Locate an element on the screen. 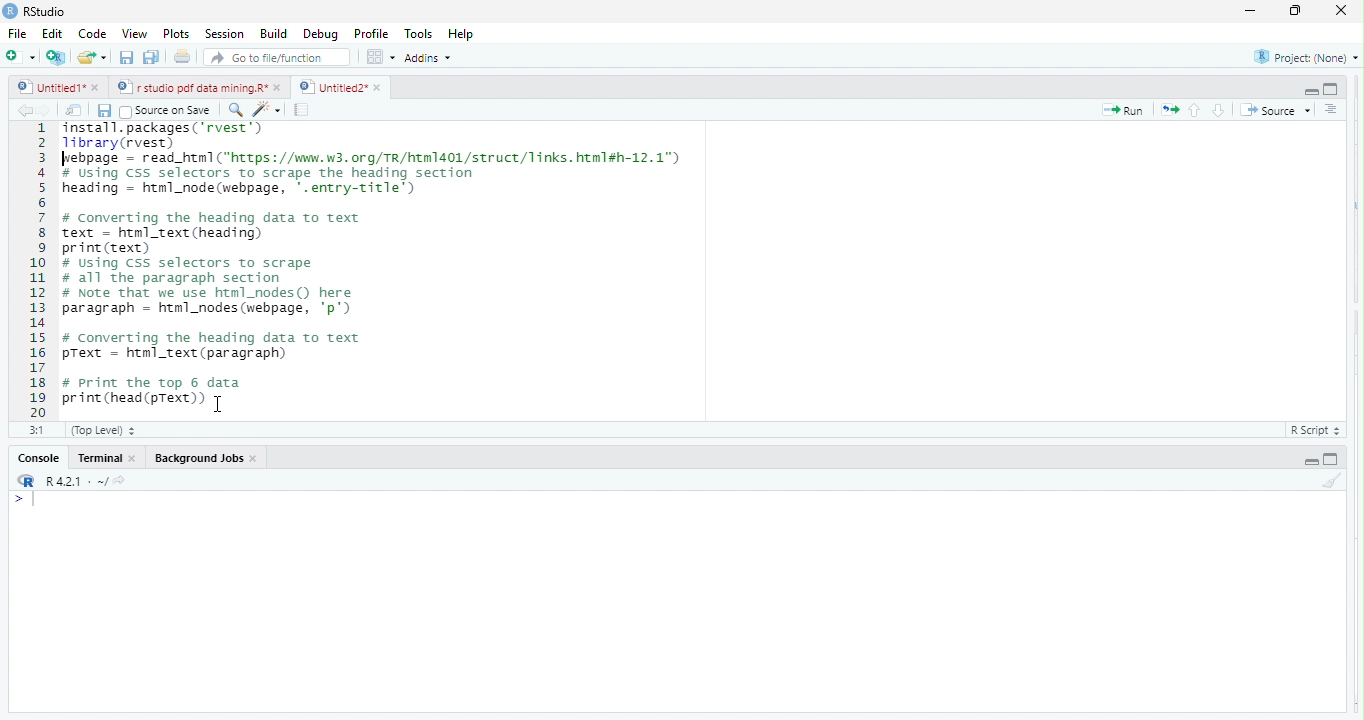  Addins  is located at coordinates (432, 57).